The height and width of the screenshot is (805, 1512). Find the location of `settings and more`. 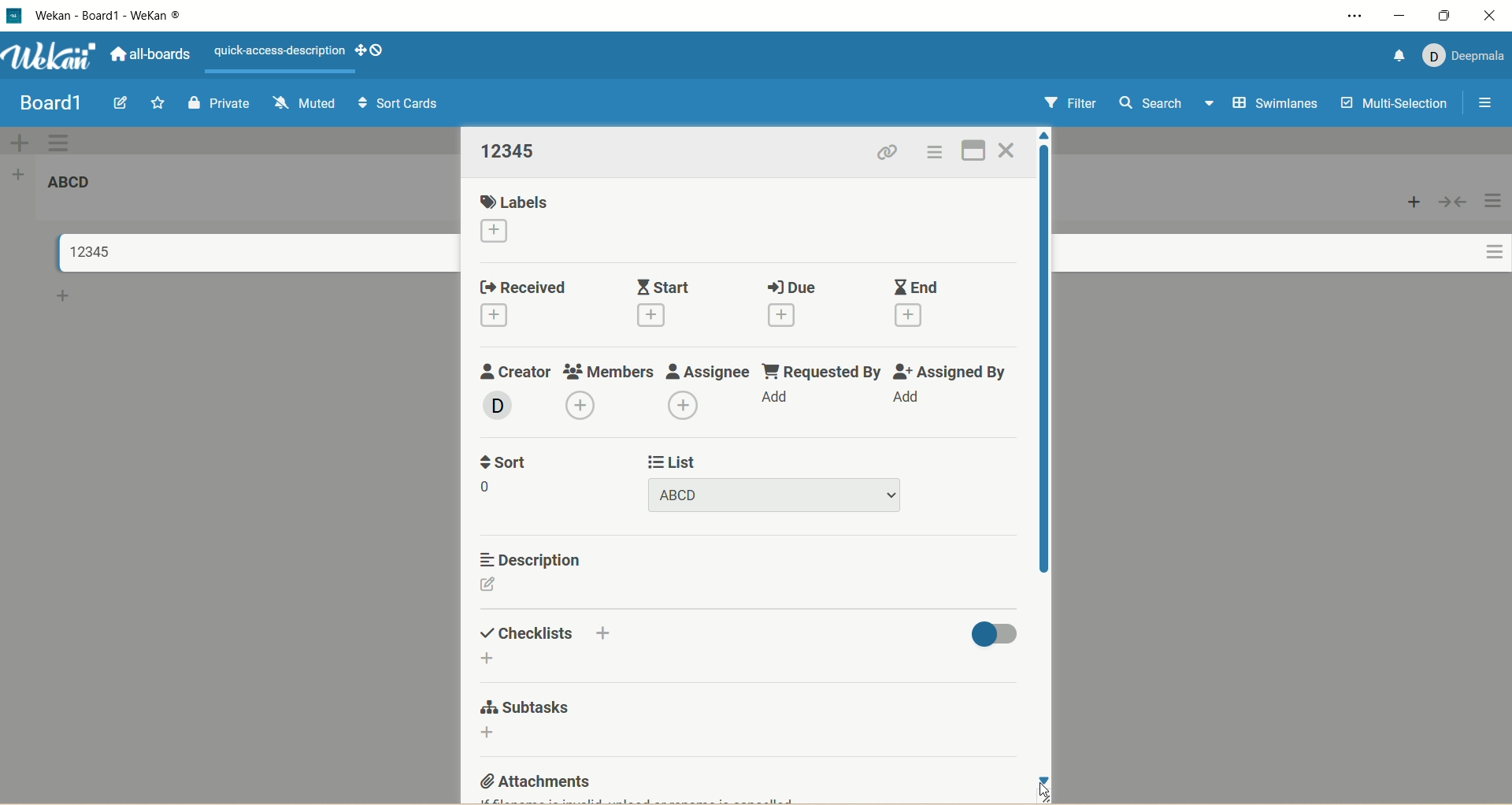

settings and more is located at coordinates (1359, 17).